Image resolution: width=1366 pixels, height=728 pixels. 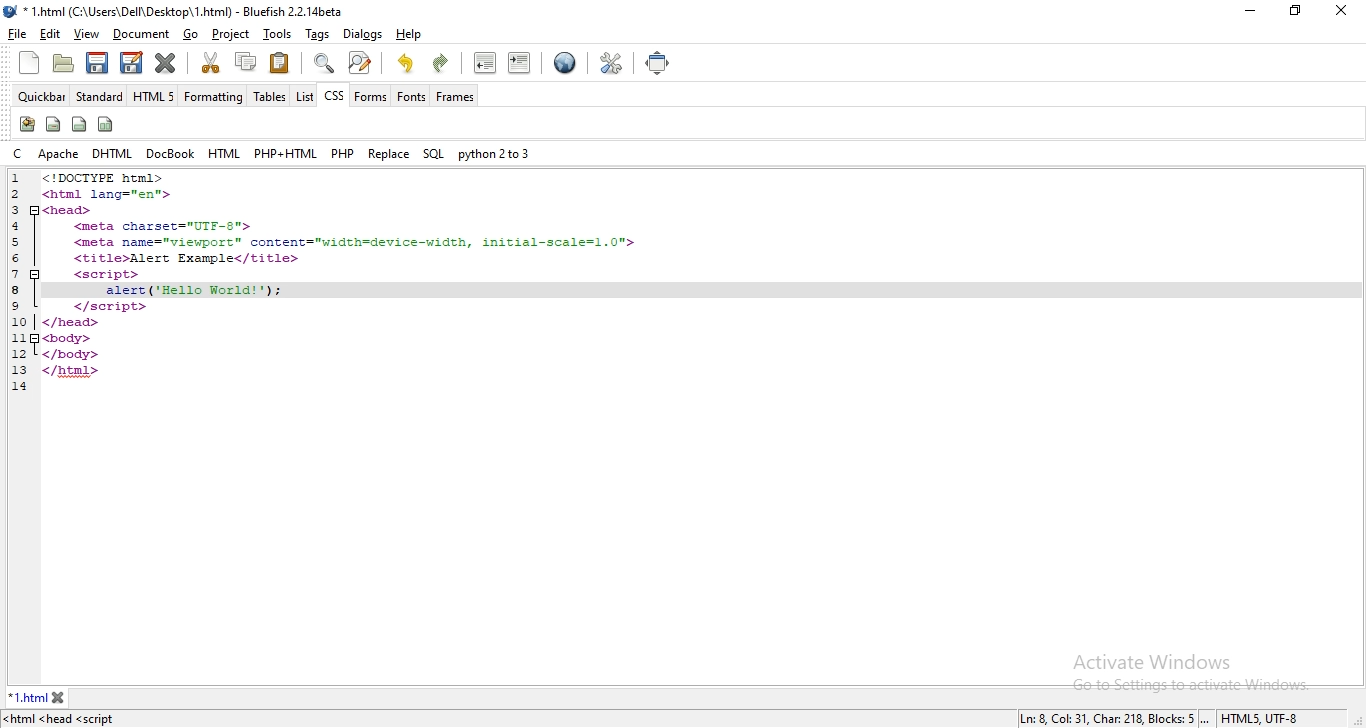 What do you see at coordinates (73, 370) in the screenshot?
I see `</html>` at bounding box center [73, 370].